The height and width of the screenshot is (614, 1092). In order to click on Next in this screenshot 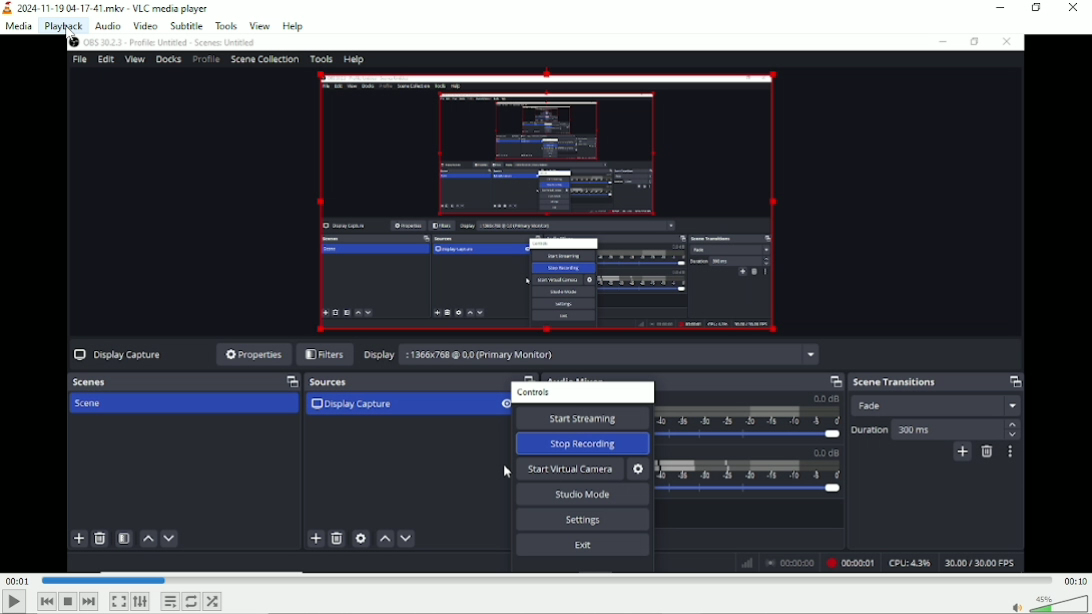, I will do `click(89, 601)`.